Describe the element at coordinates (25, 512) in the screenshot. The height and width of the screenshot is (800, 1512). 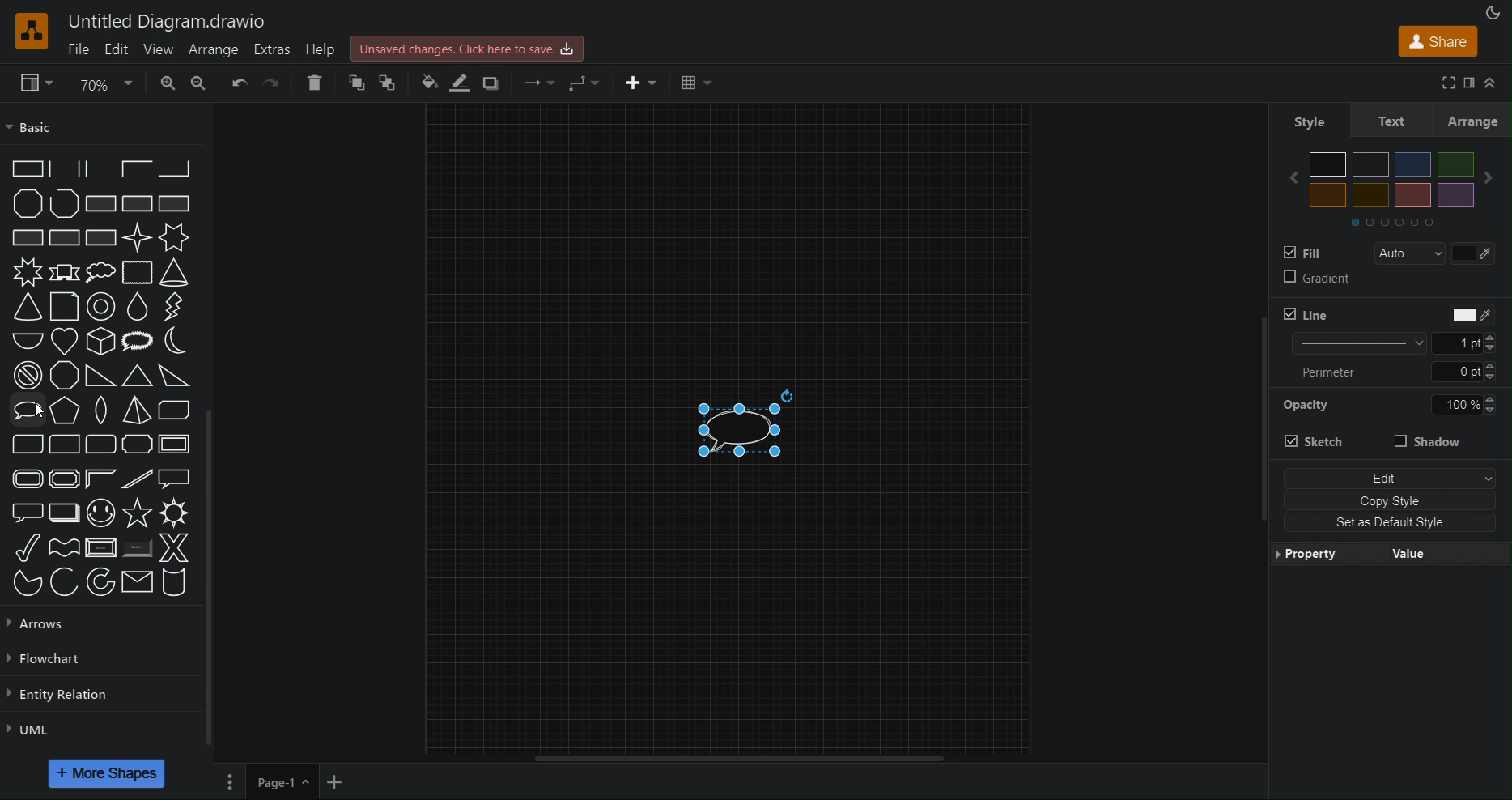
I see `Rounded Rectangular Callout` at that location.